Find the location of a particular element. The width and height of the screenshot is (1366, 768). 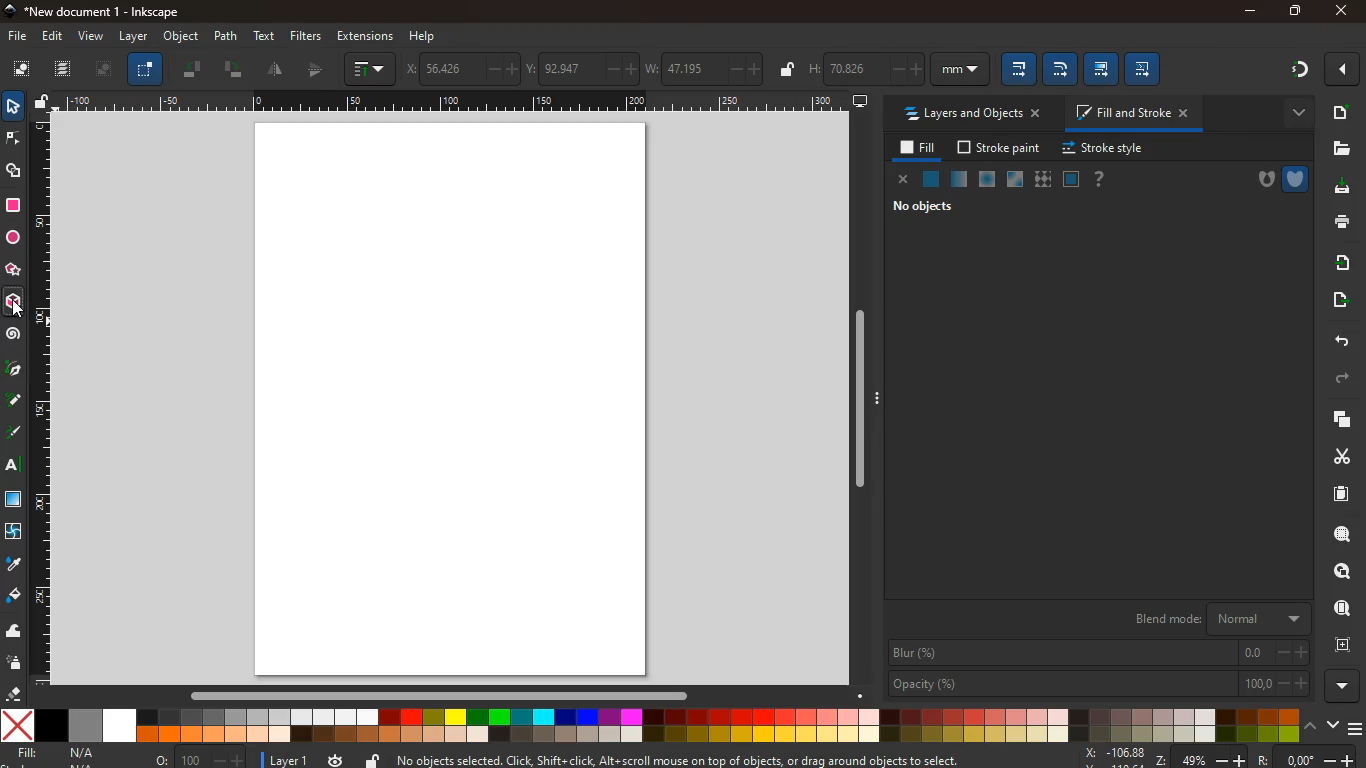

unlock is located at coordinates (785, 69).